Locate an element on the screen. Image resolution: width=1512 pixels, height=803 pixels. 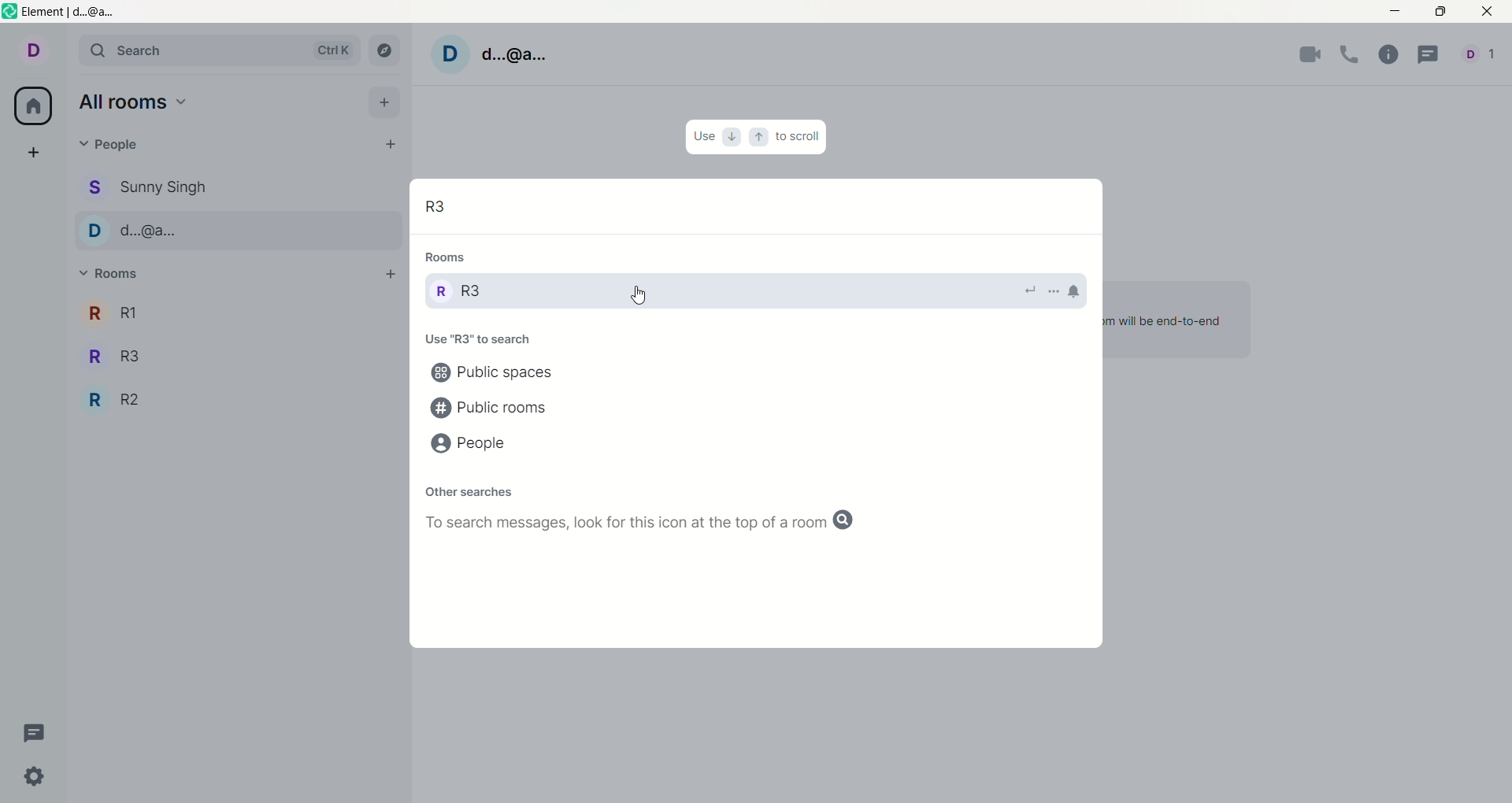
account is located at coordinates (495, 54).